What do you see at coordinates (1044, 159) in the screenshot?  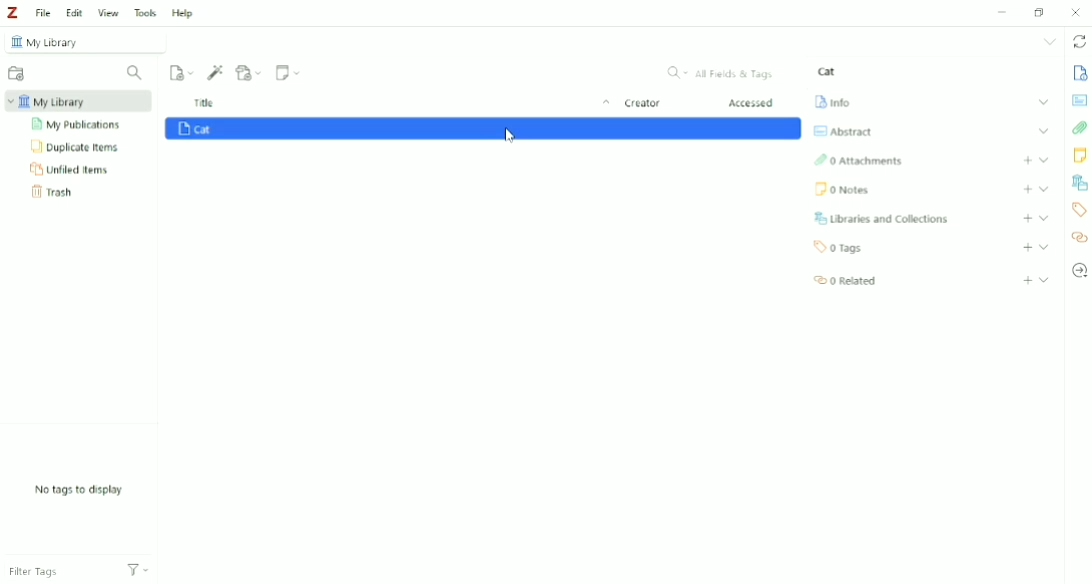 I see `Expand section` at bounding box center [1044, 159].